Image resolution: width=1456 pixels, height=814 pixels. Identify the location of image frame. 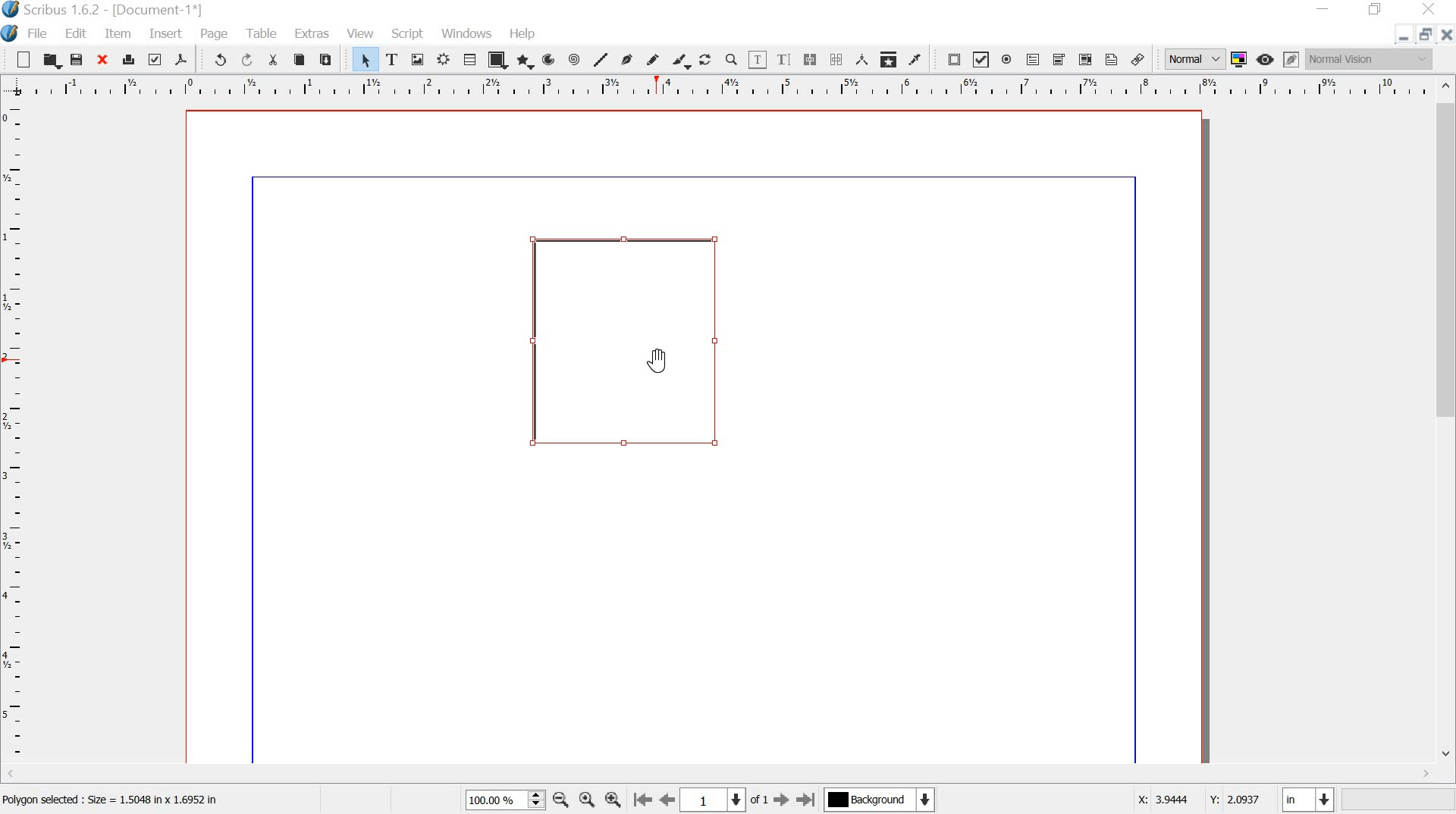
(420, 61).